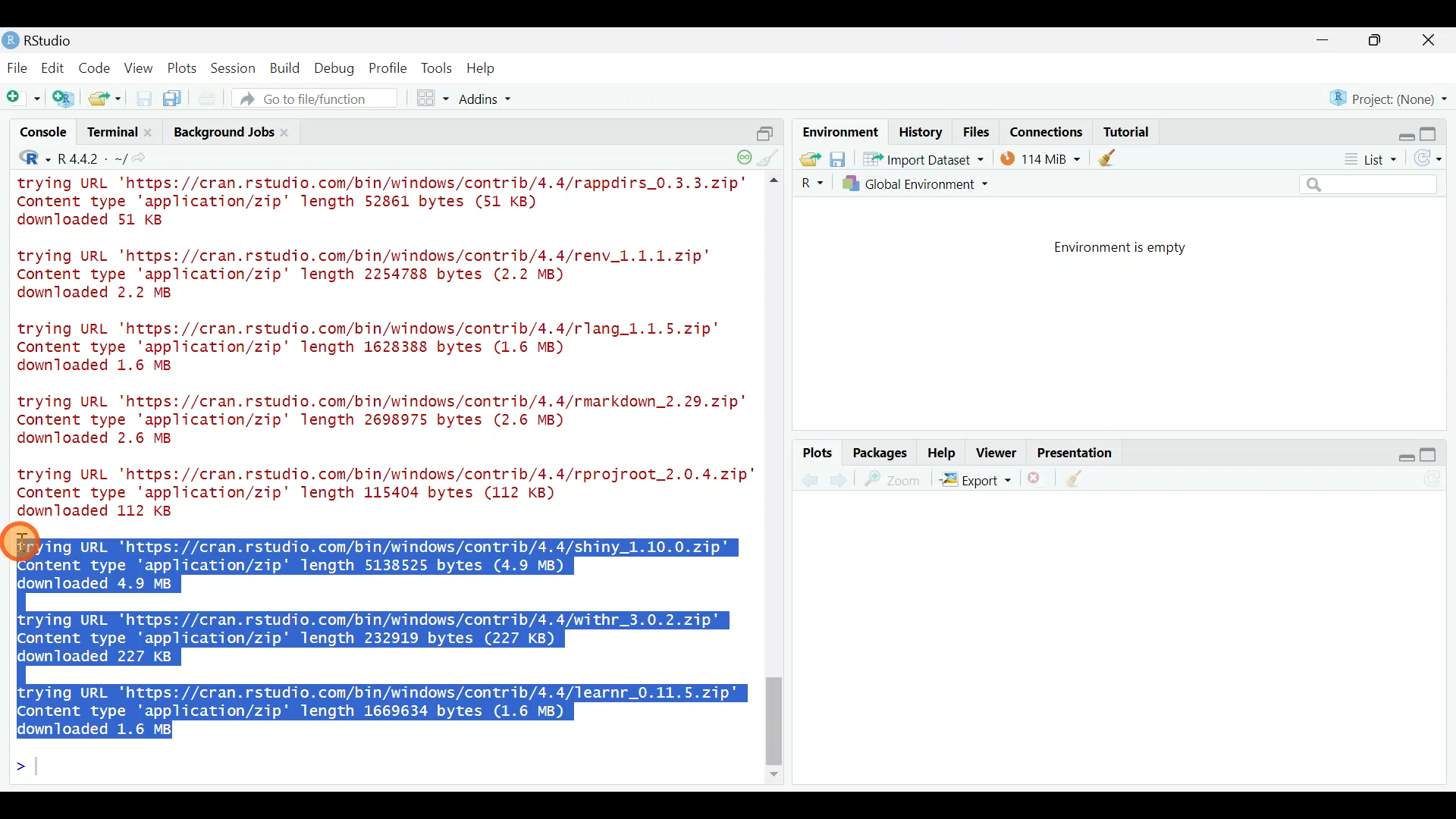 Image resolution: width=1456 pixels, height=819 pixels. I want to click on split, so click(764, 127).